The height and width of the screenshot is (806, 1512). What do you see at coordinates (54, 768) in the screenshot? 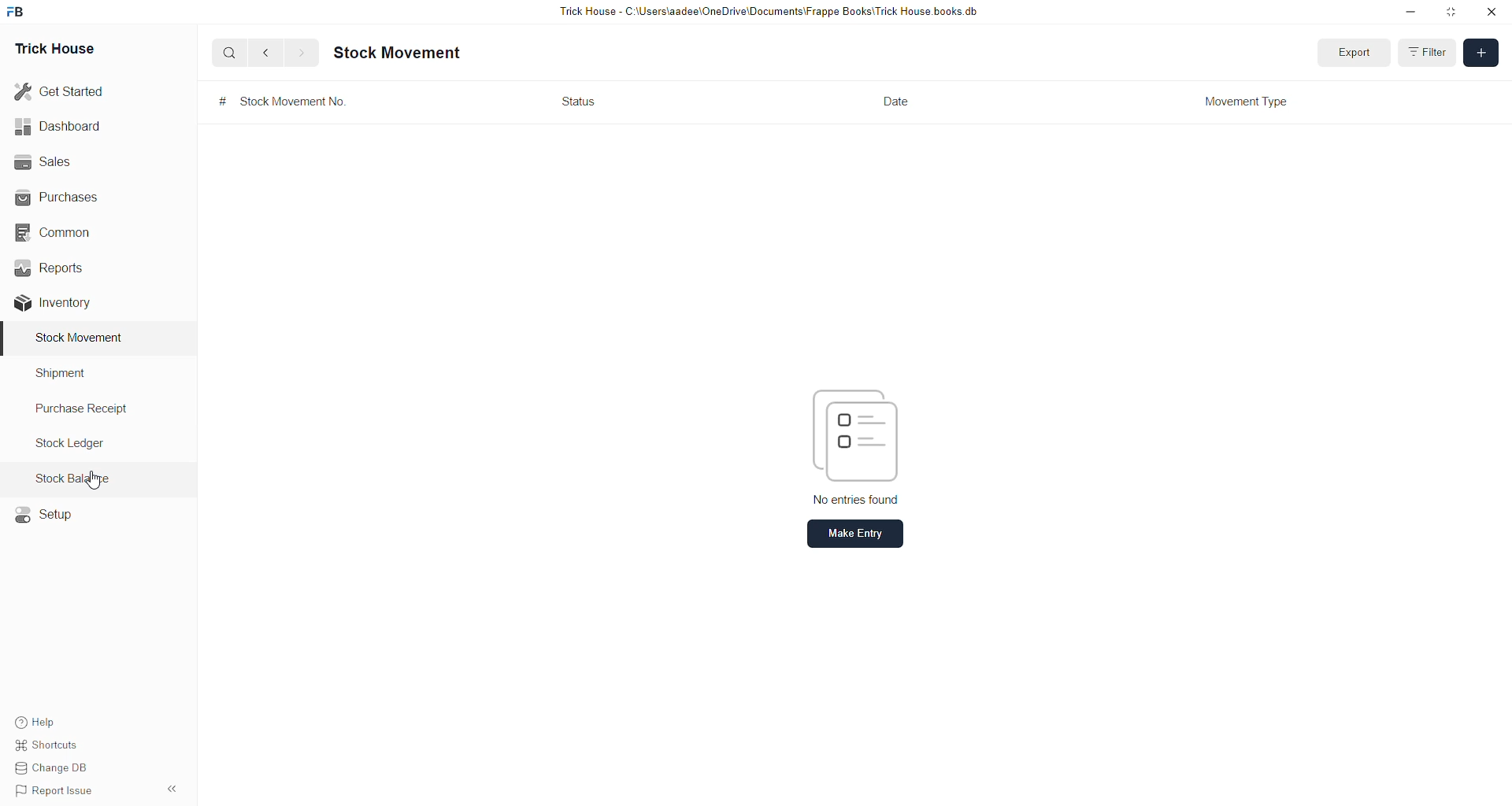
I see `Change DB` at bounding box center [54, 768].